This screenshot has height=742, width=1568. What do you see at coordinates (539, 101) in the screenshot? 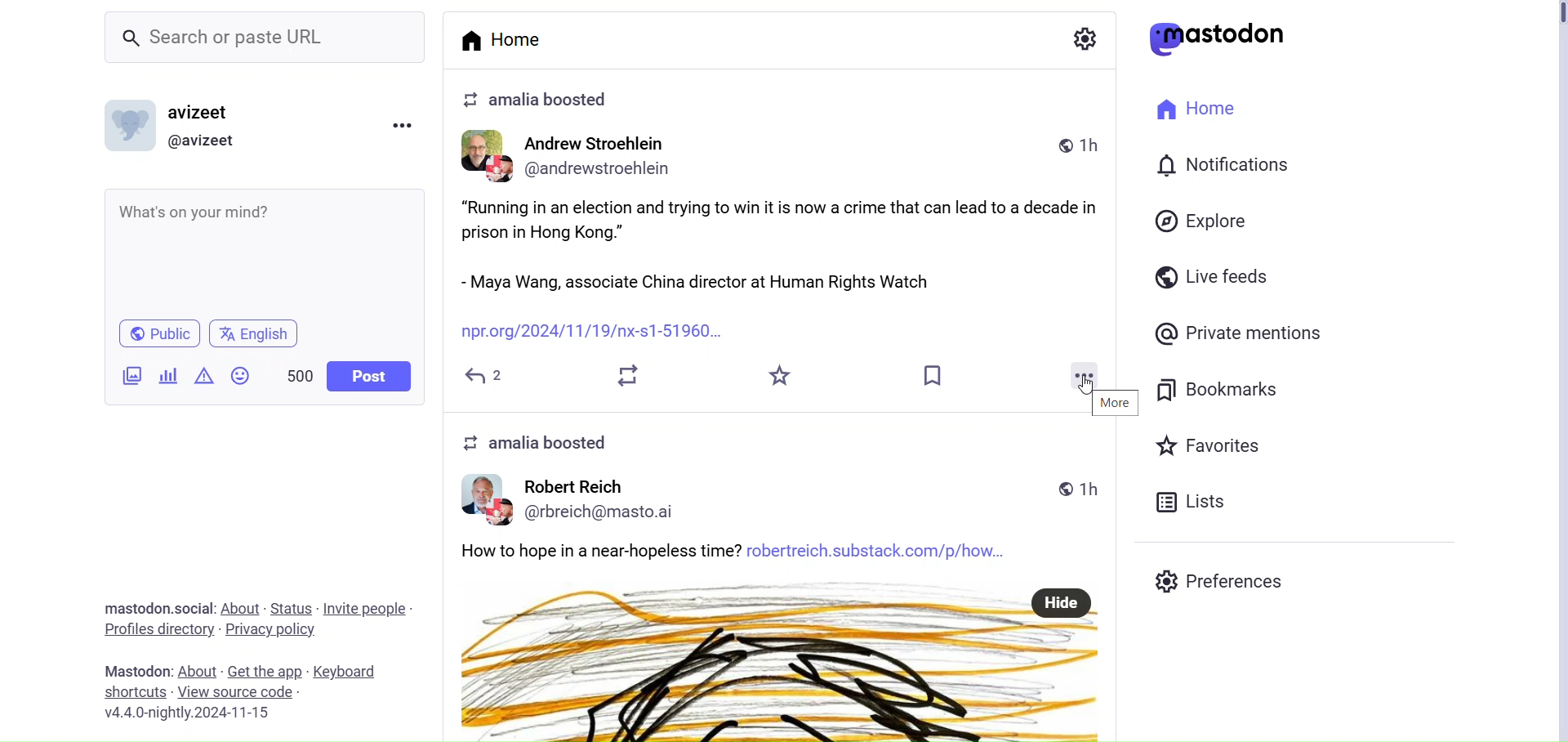
I see `Text` at bounding box center [539, 101].